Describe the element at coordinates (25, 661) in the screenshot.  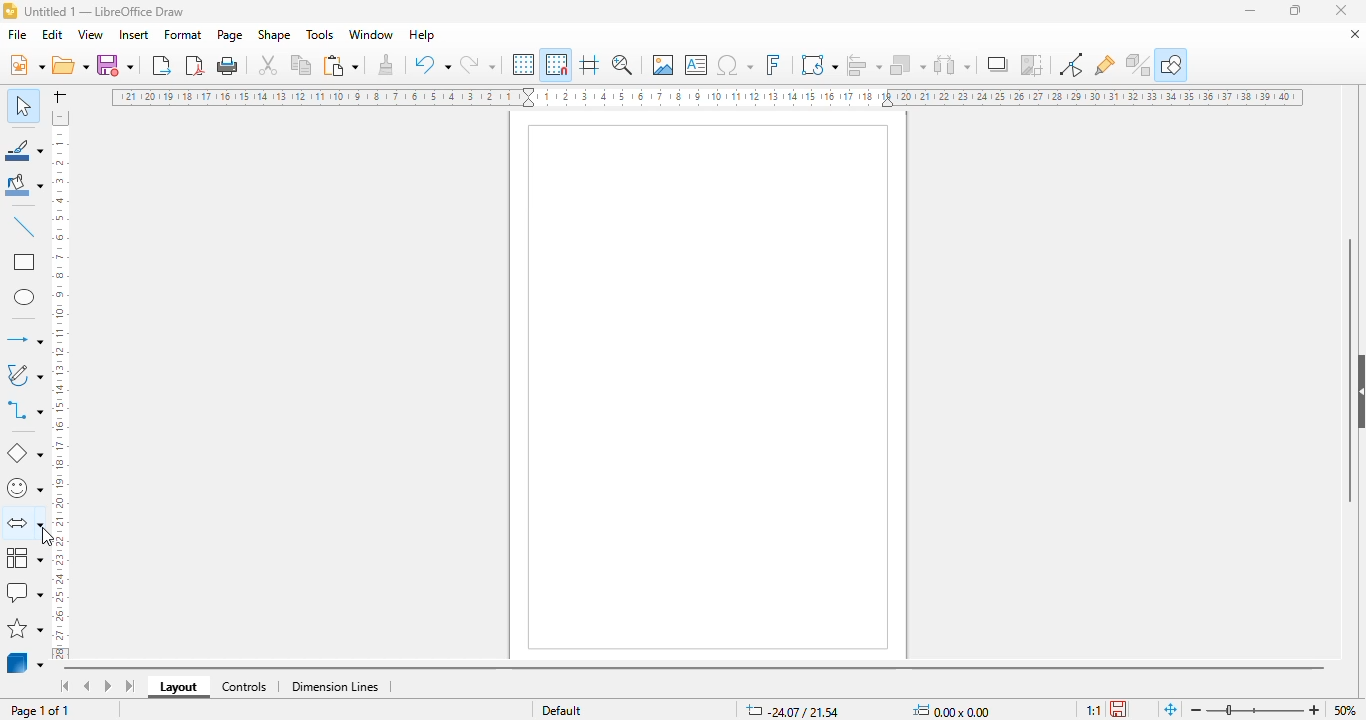
I see `3D objects` at that location.